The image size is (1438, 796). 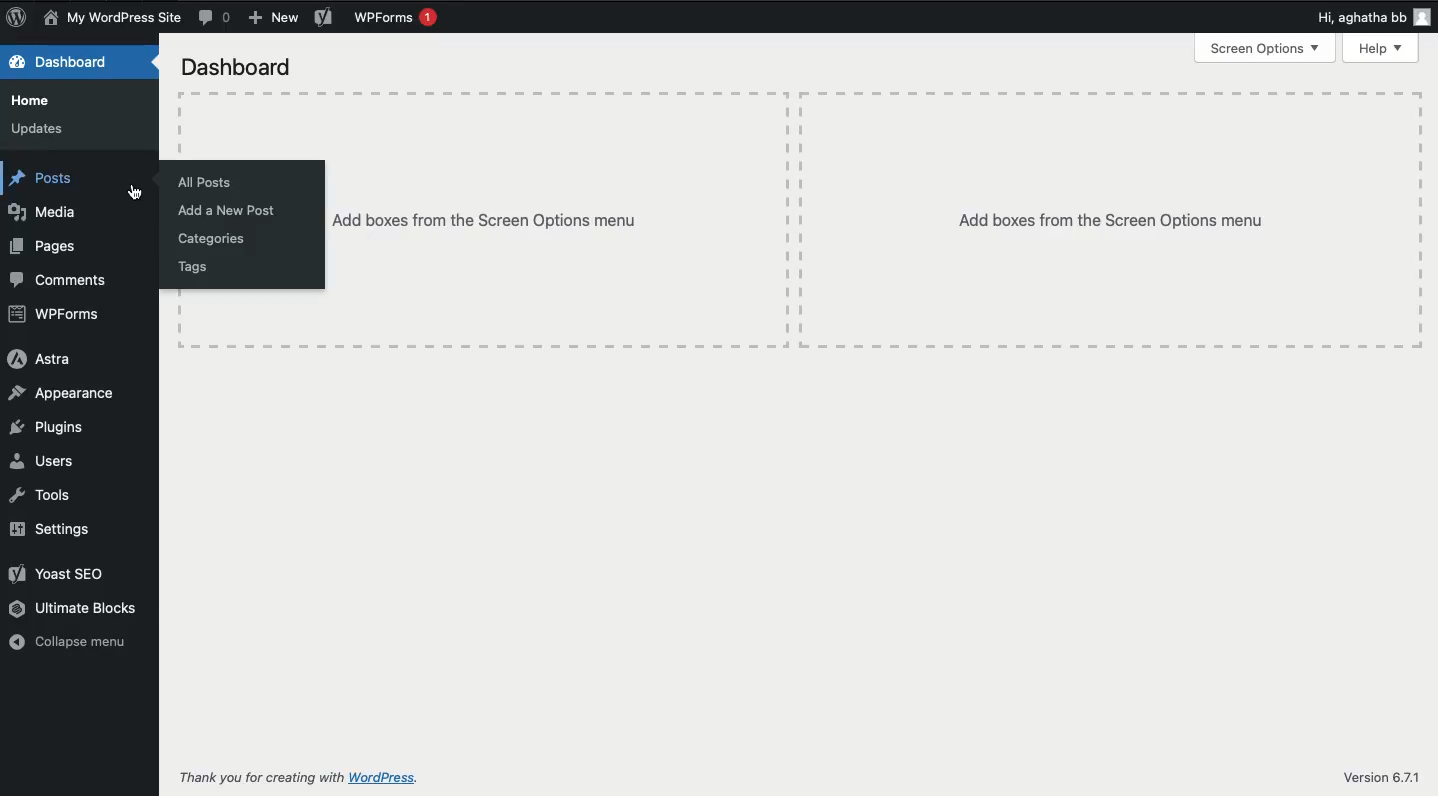 I want to click on Yoast, so click(x=59, y=572).